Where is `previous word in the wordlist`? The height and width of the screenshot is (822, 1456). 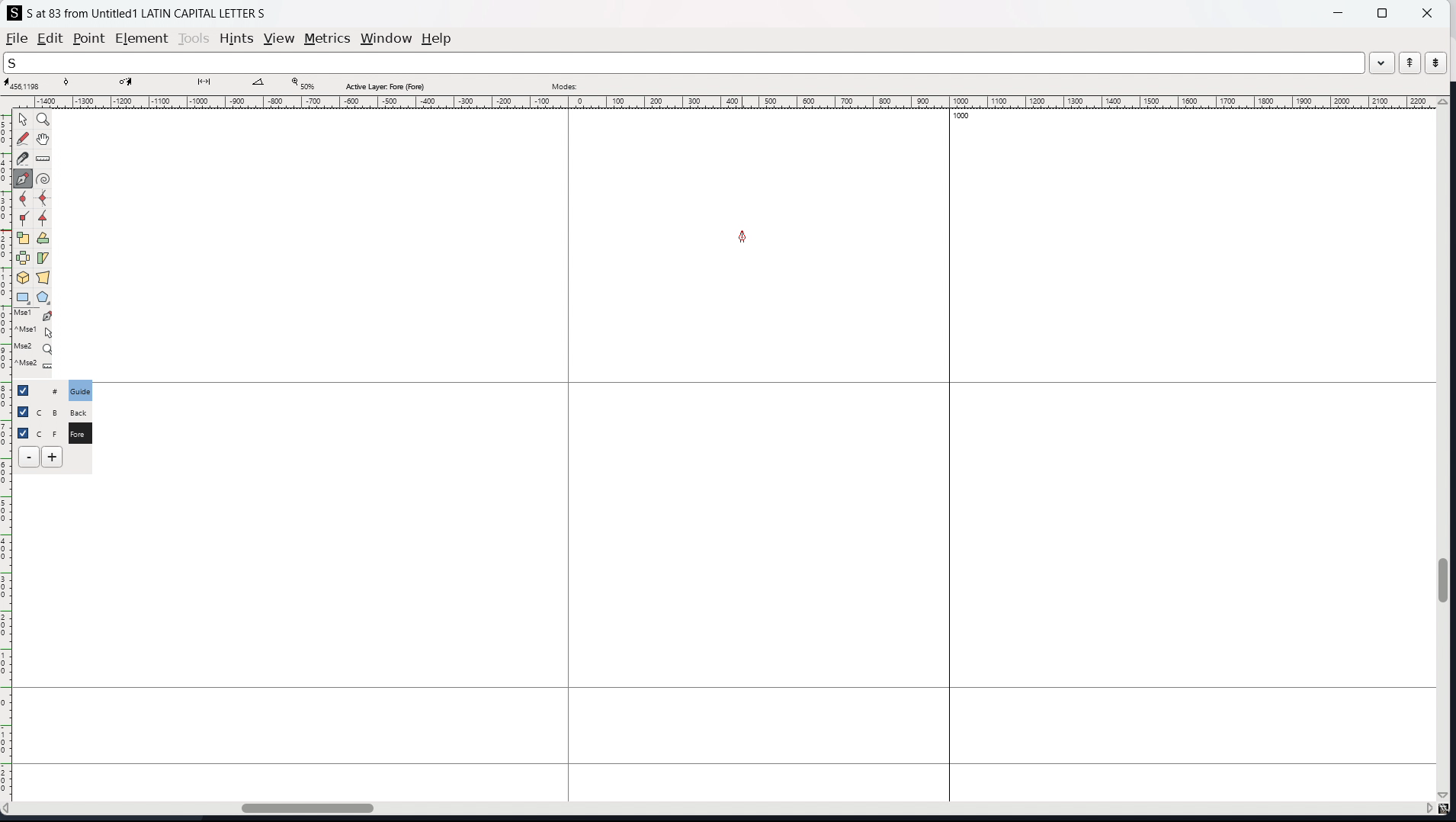
previous word in the wordlist is located at coordinates (1410, 63).